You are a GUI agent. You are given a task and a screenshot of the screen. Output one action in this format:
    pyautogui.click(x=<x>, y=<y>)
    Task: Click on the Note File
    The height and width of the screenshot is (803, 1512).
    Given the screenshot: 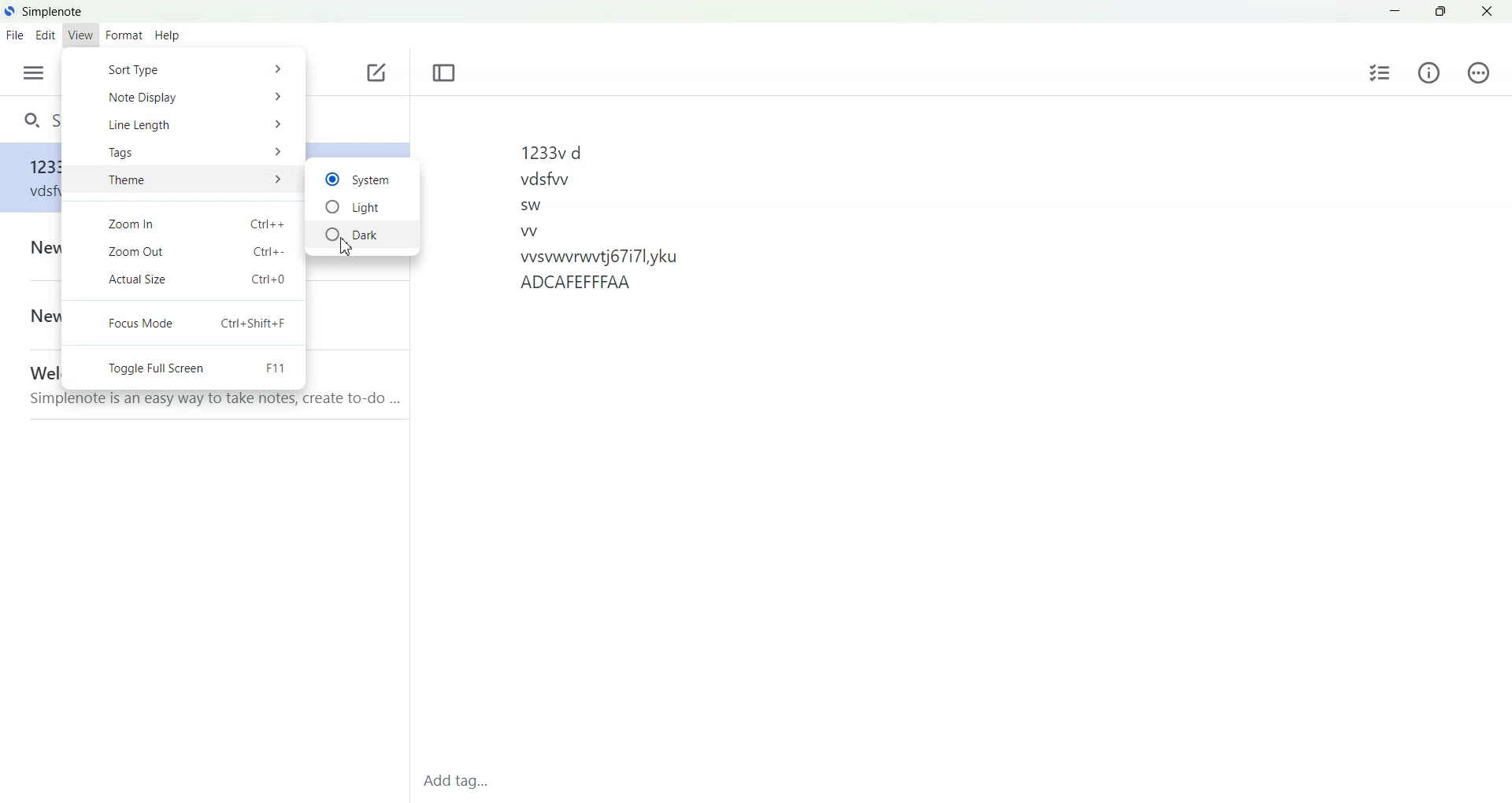 What is the action you would take?
    pyautogui.click(x=34, y=317)
    